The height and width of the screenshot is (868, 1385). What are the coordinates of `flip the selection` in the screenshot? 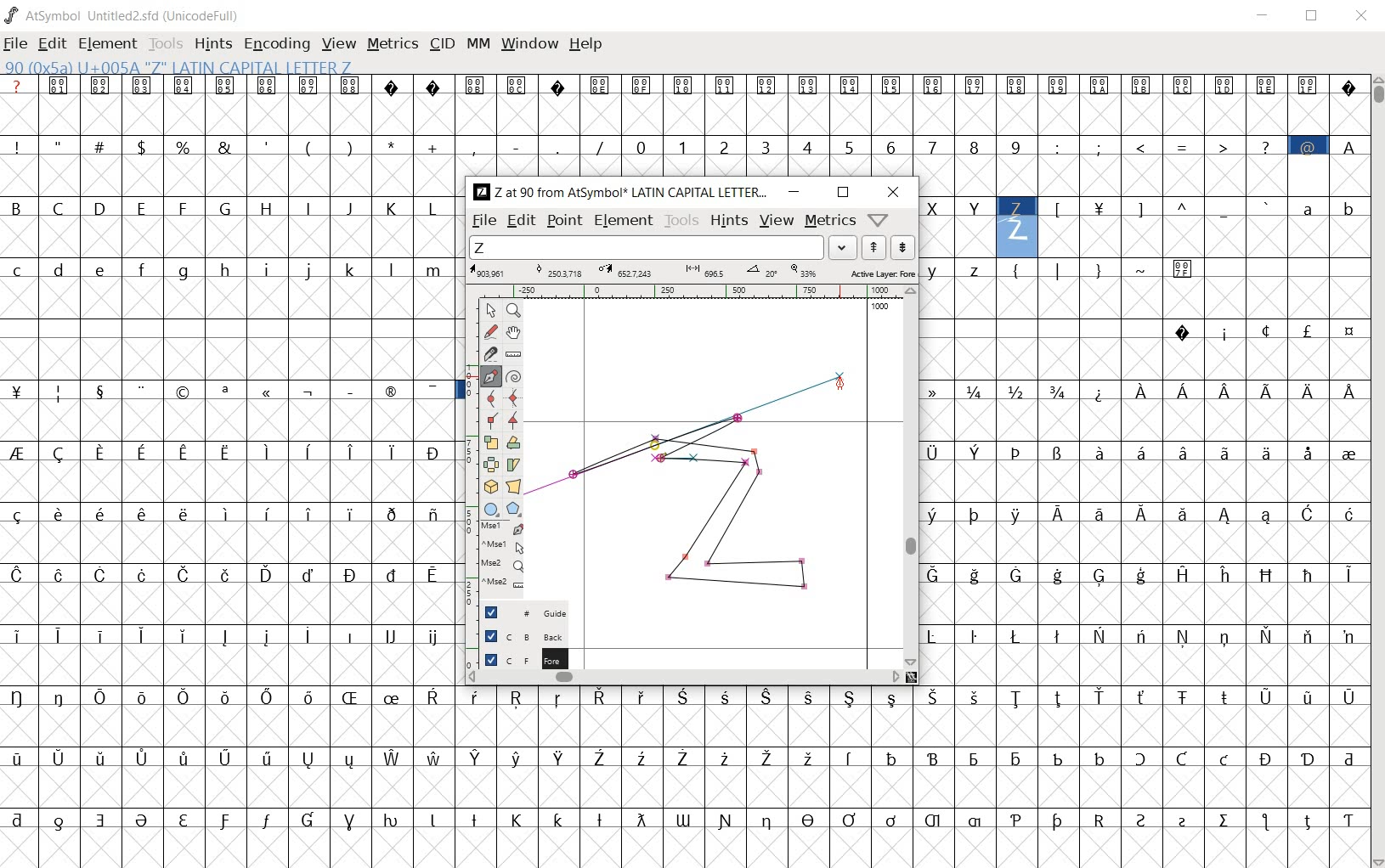 It's located at (490, 465).